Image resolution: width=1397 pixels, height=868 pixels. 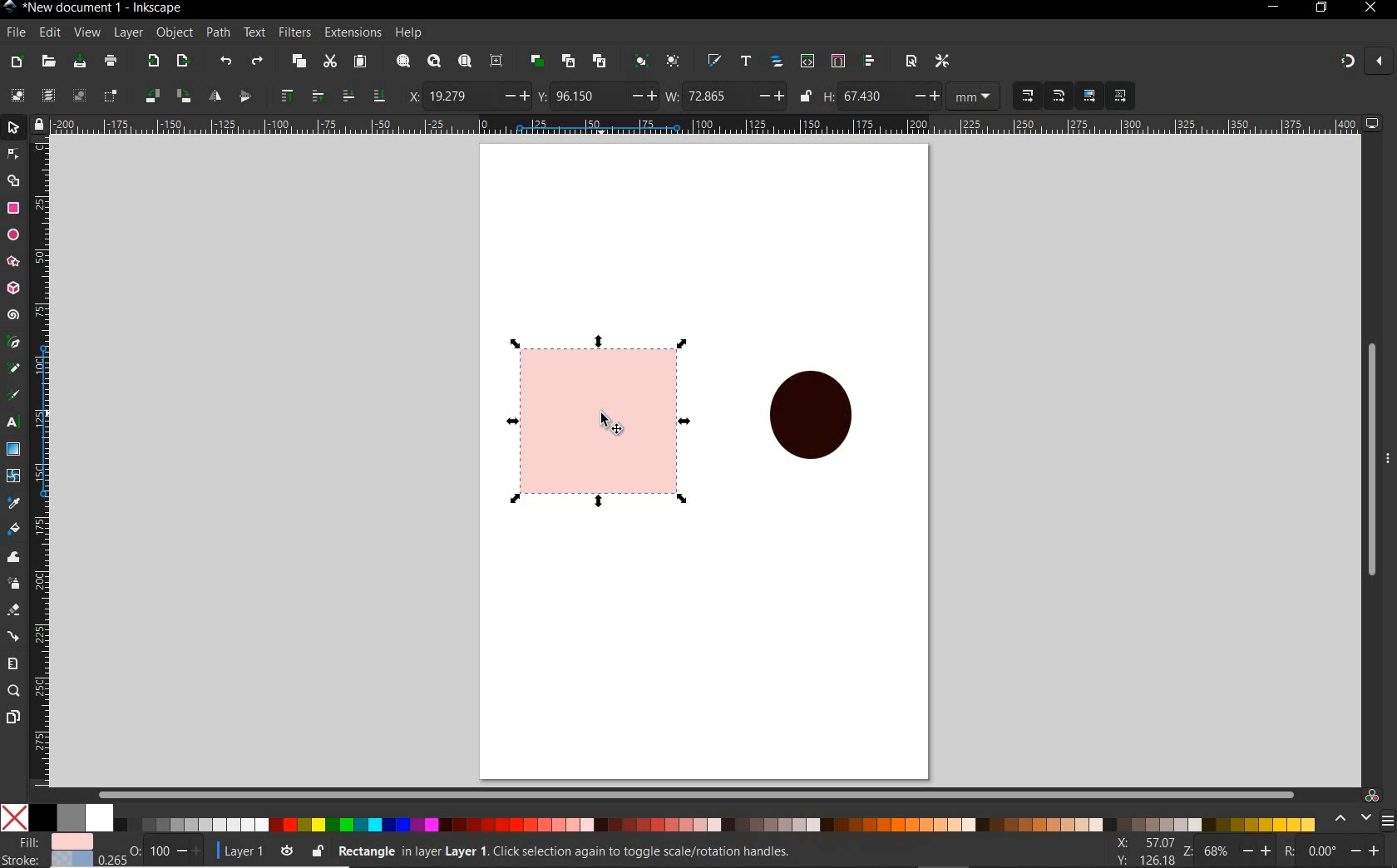 What do you see at coordinates (12, 152) in the screenshot?
I see `node tool` at bounding box center [12, 152].